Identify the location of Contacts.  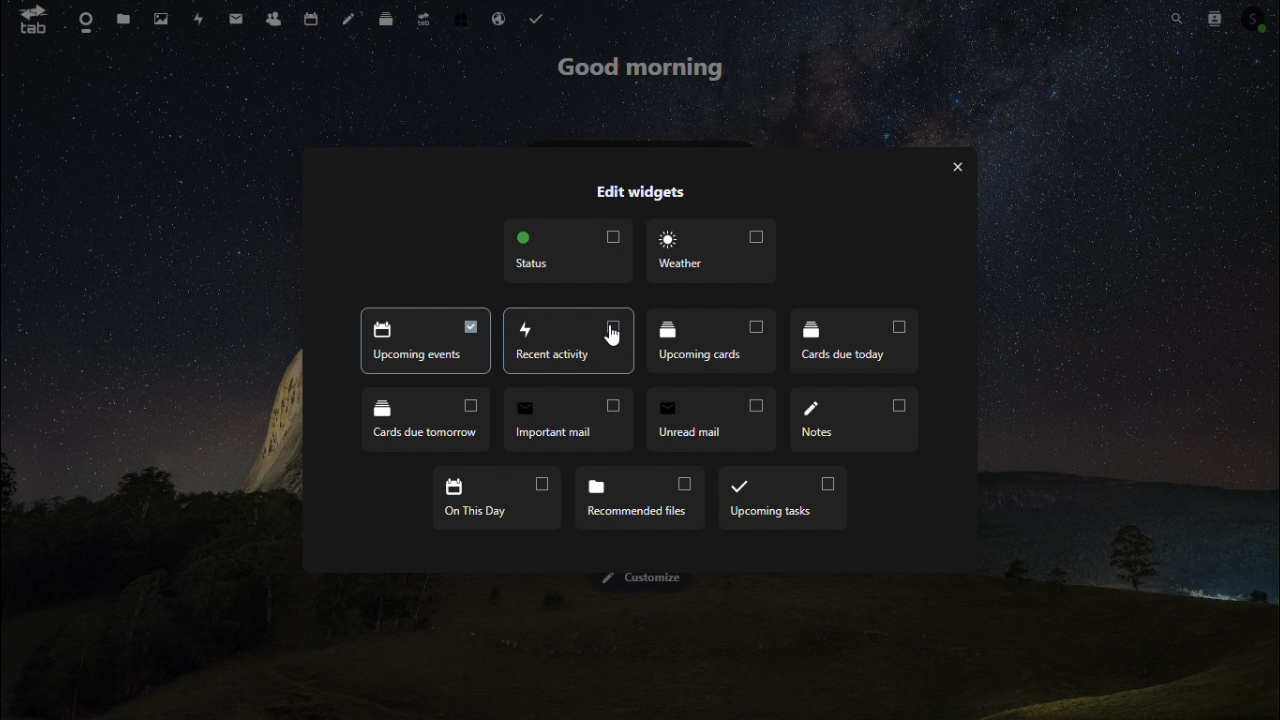
(1211, 17).